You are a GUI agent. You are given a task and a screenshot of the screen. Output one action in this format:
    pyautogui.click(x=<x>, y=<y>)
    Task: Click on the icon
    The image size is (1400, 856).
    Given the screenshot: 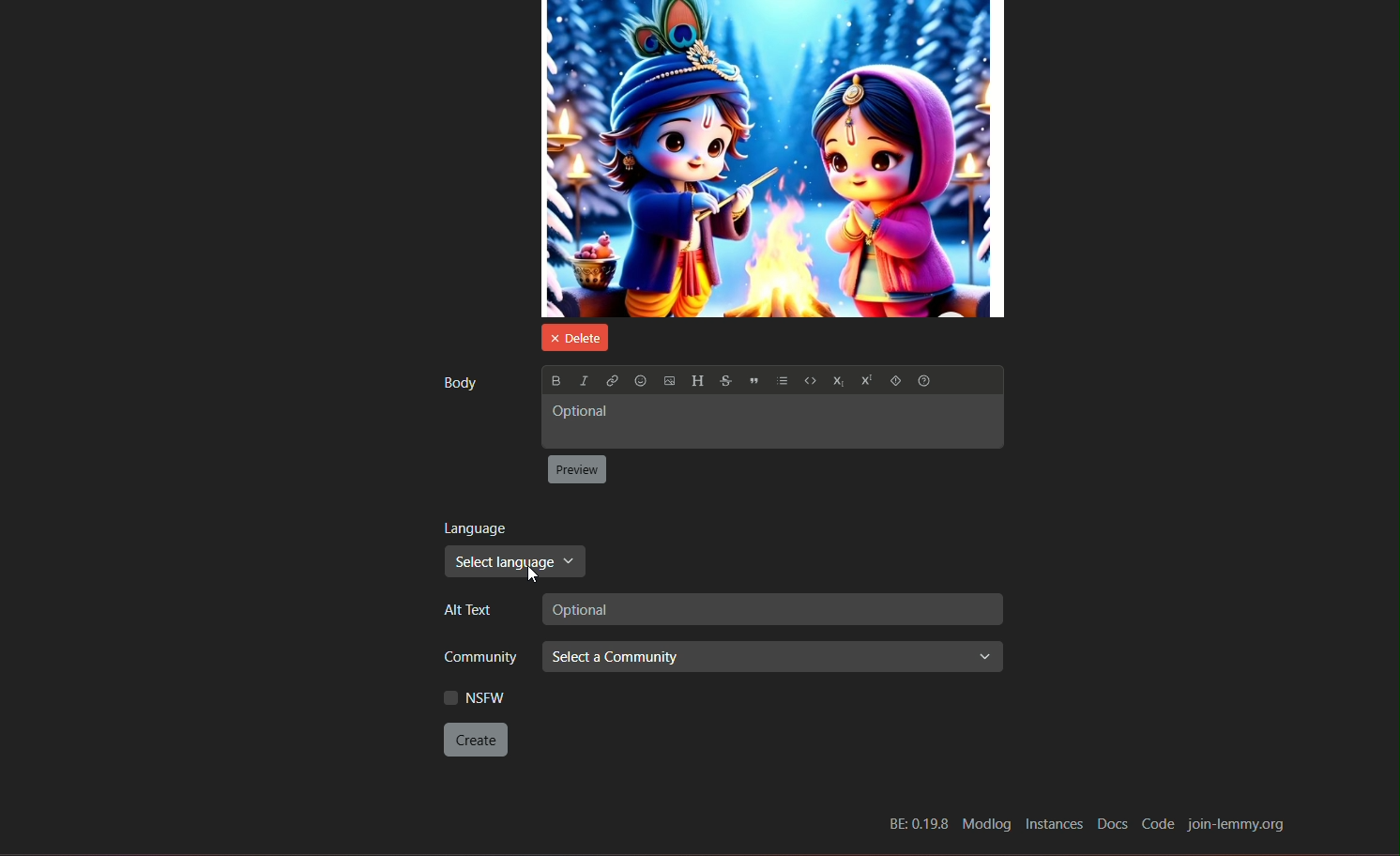 What is the action you would take?
    pyautogui.click(x=894, y=382)
    